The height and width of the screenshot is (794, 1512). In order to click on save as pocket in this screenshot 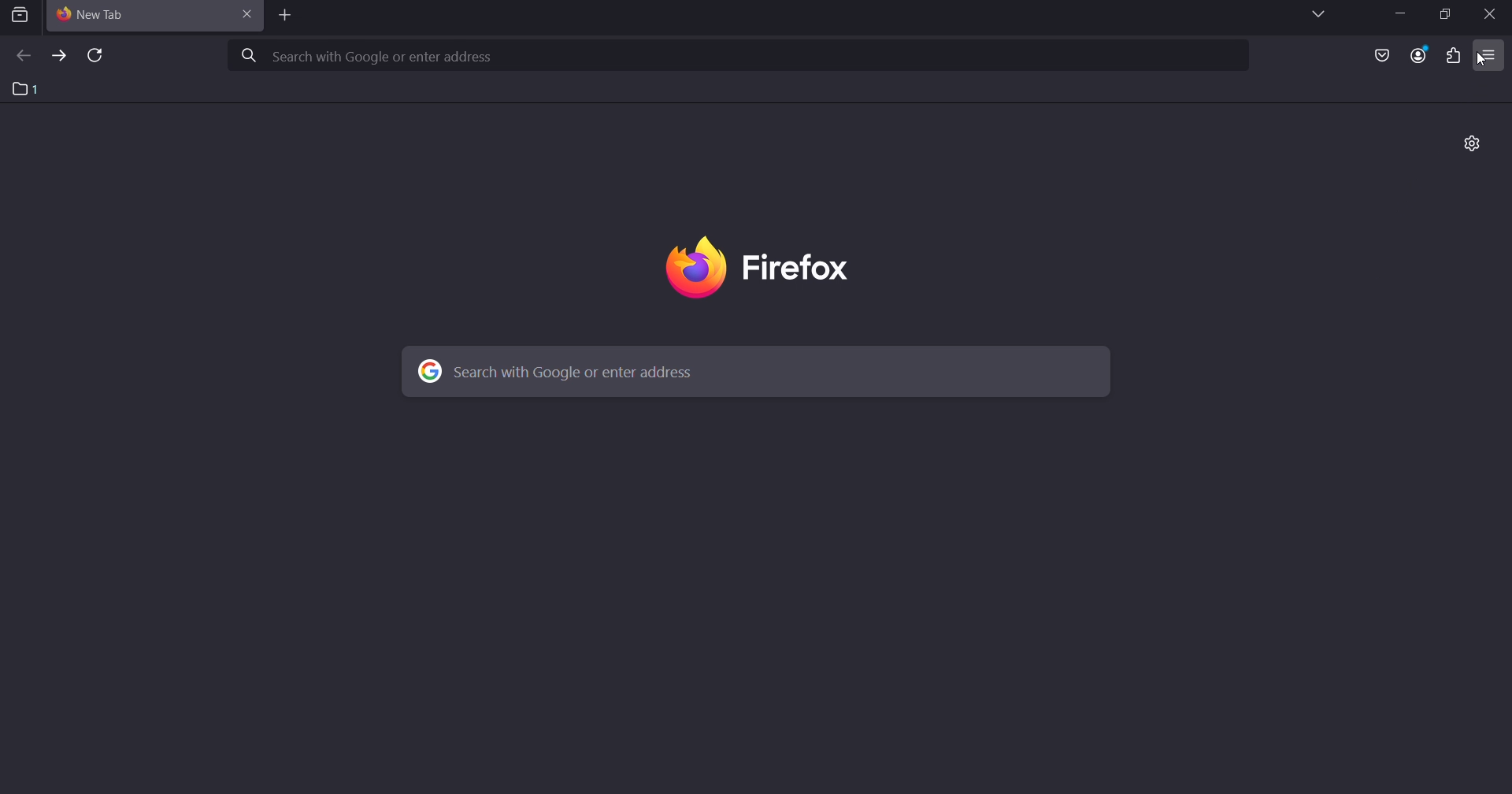, I will do `click(1381, 56)`.